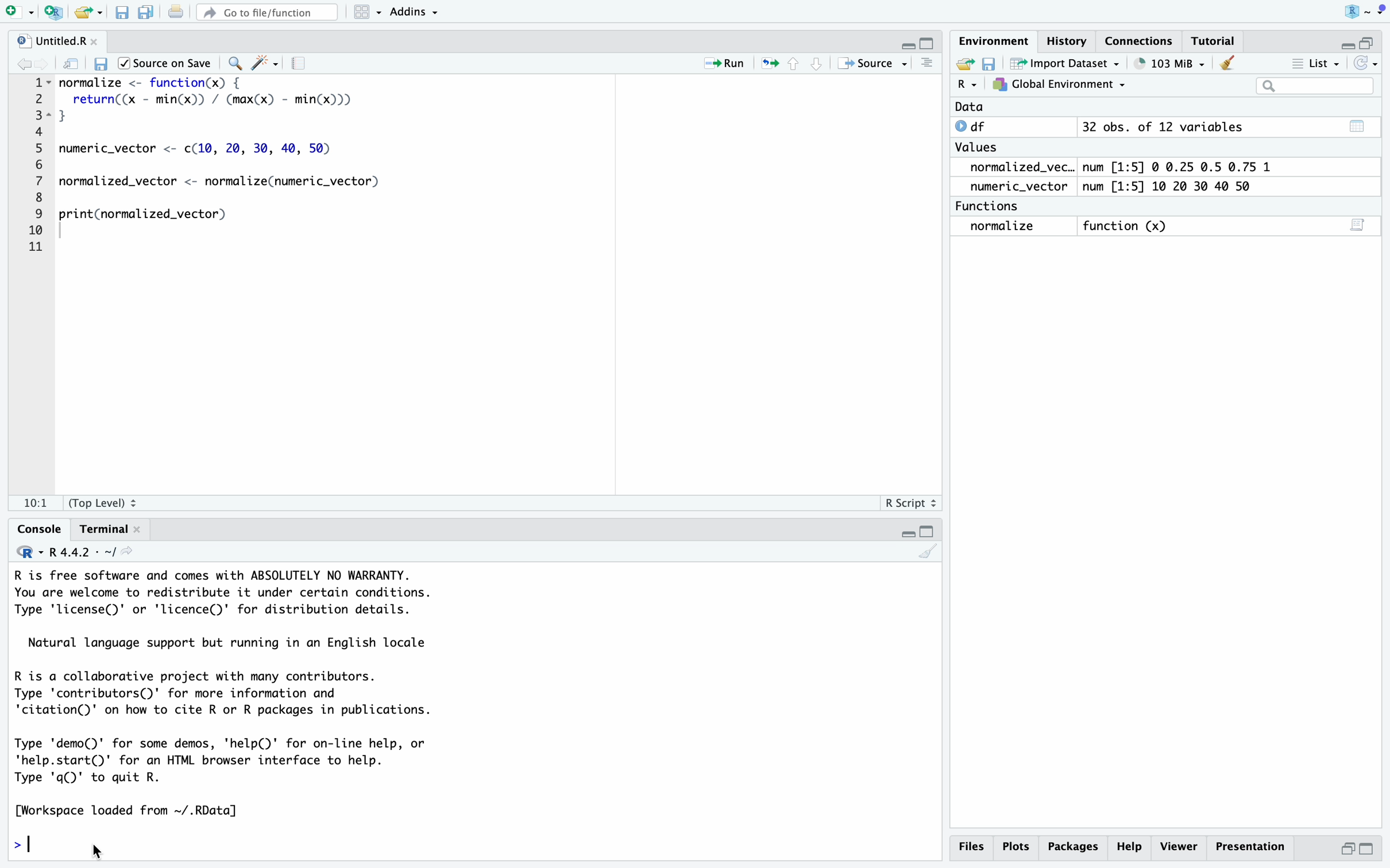 This screenshot has width=1390, height=868. What do you see at coordinates (32, 168) in the screenshot?
I see `1234567891011` at bounding box center [32, 168].